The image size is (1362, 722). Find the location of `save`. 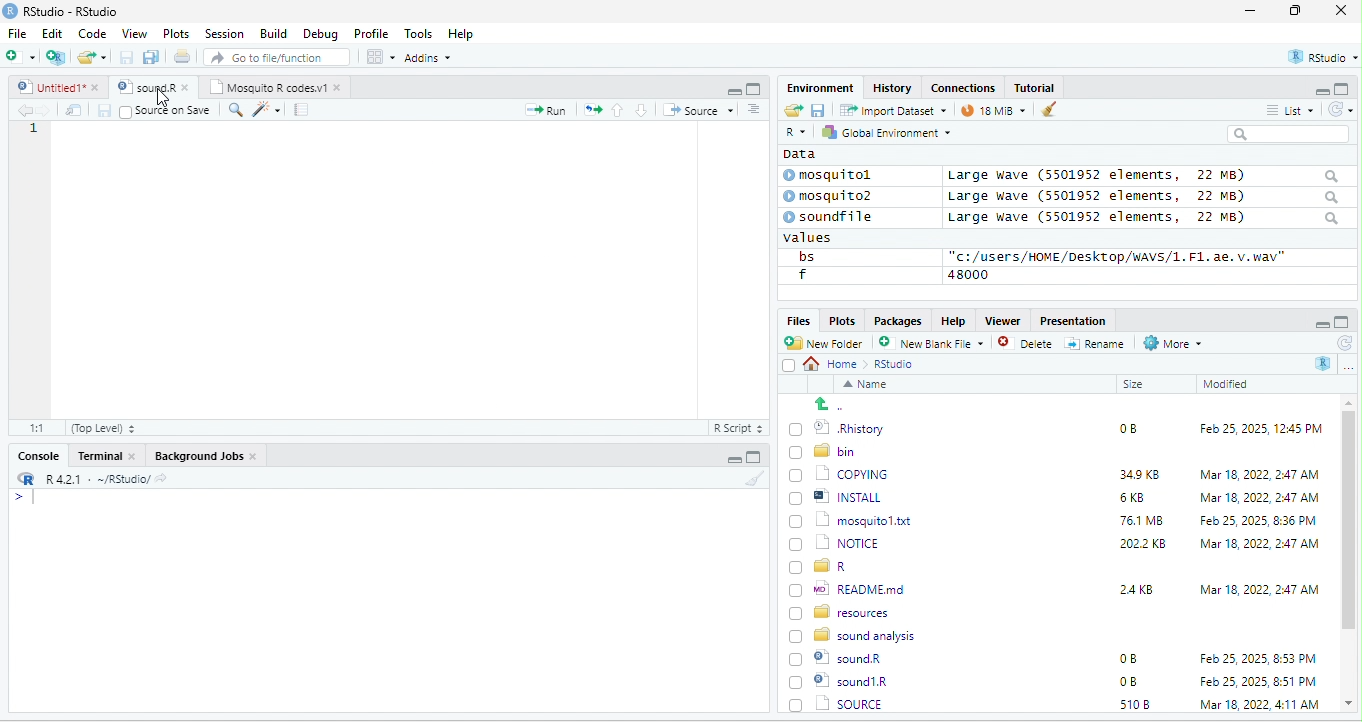

save is located at coordinates (128, 58).